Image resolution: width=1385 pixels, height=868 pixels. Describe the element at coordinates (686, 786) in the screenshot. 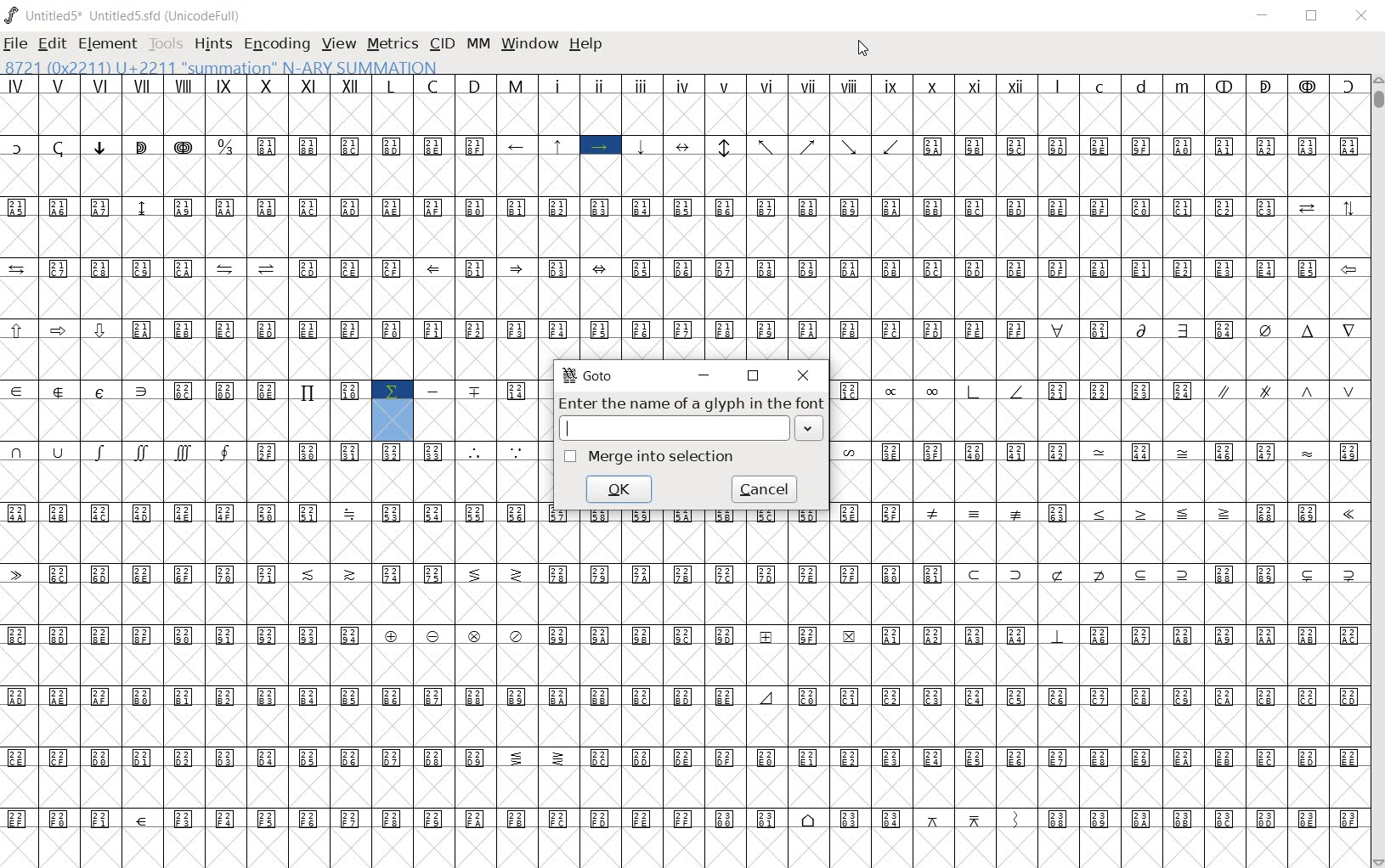

I see `empty cells` at that location.